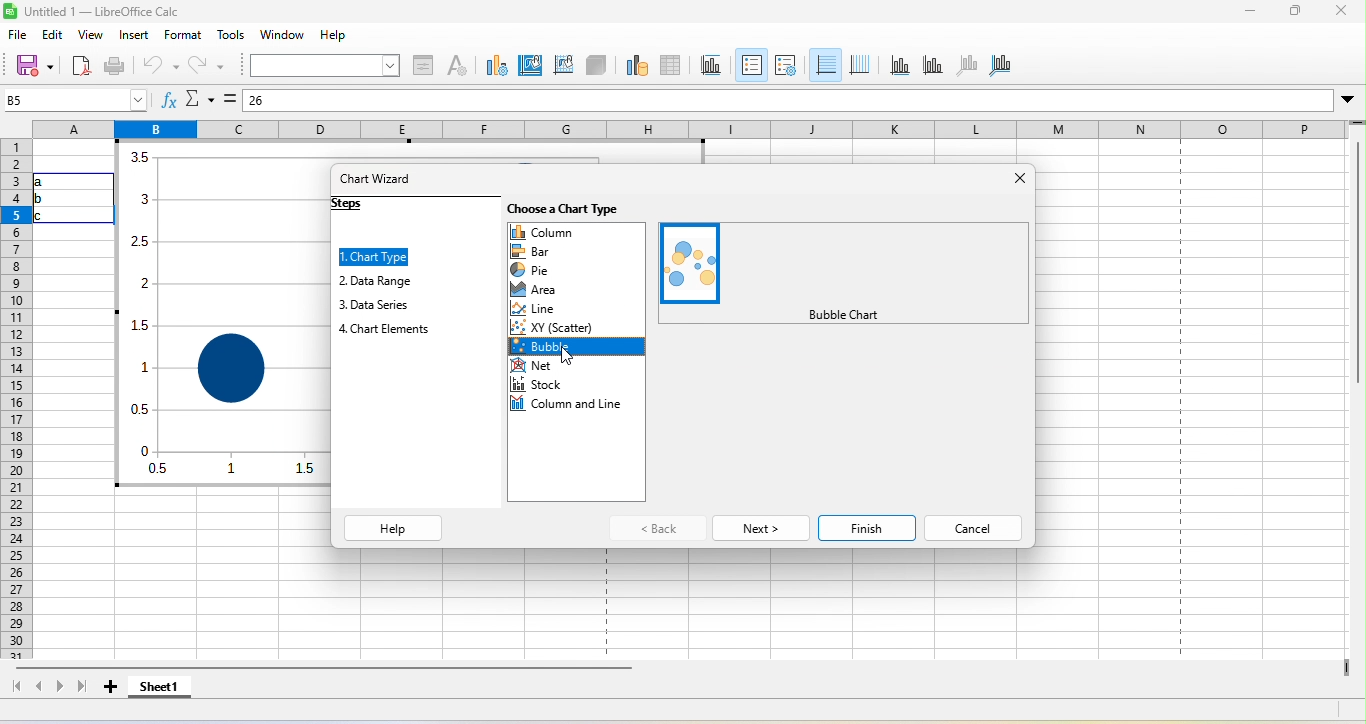 The height and width of the screenshot is (724, 1366). I want to click on c, so click(48, 216).